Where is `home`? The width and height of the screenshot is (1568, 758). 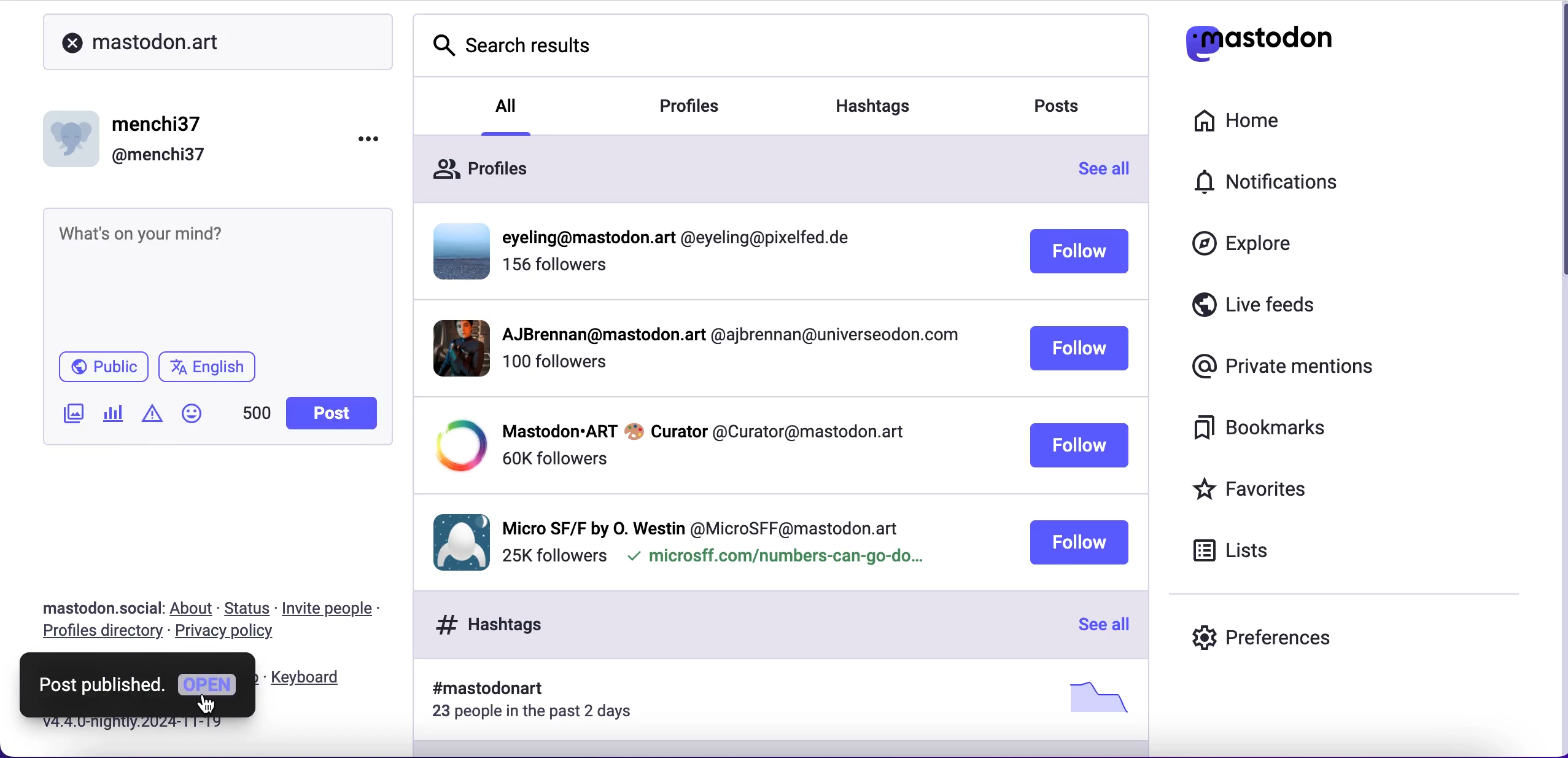 home is located at coordinates (1252, 122).